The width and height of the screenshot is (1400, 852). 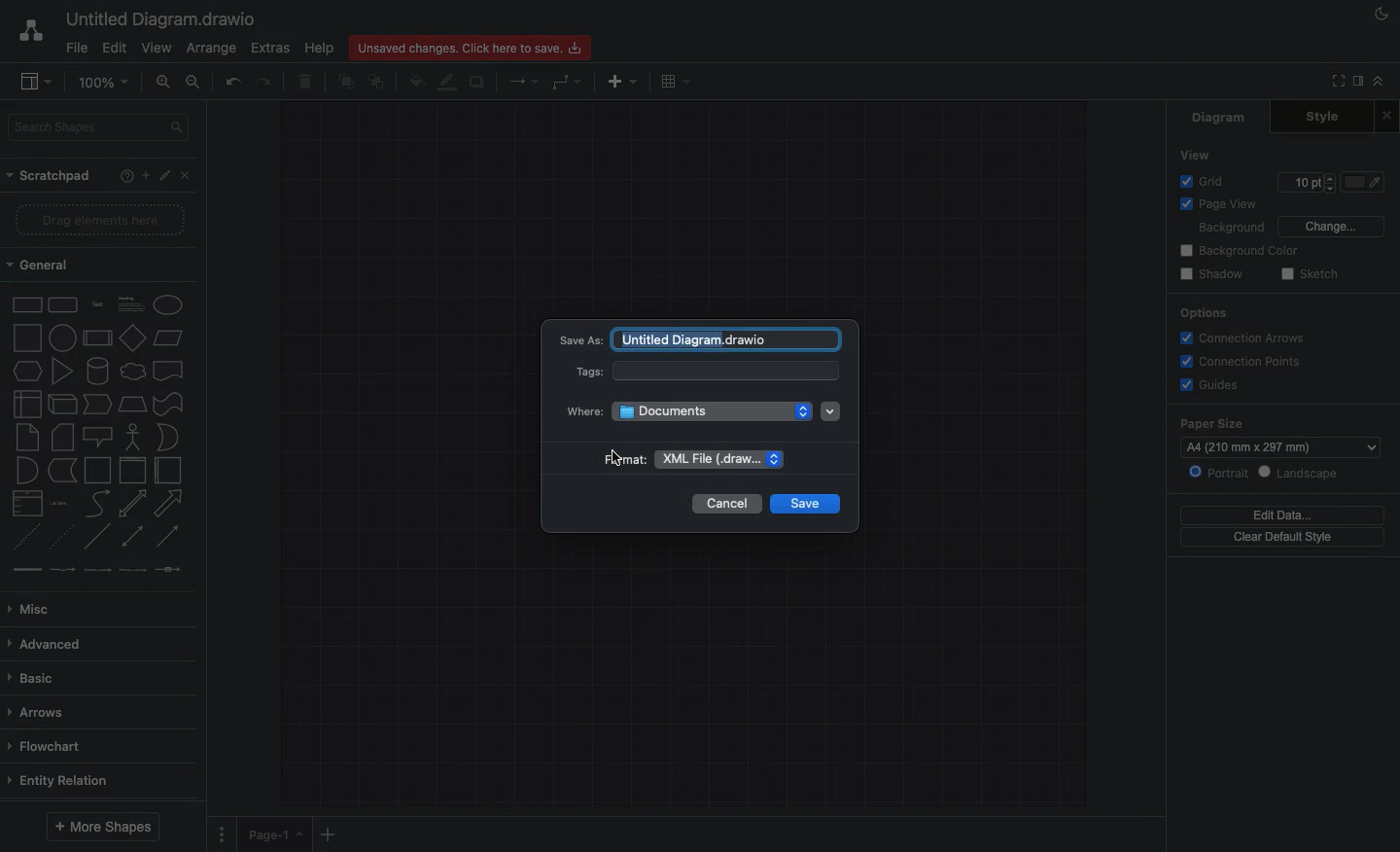 What do you see at coordinates (41, 264) in the screenshot?
I see `General` at bounding box center [41, 264].